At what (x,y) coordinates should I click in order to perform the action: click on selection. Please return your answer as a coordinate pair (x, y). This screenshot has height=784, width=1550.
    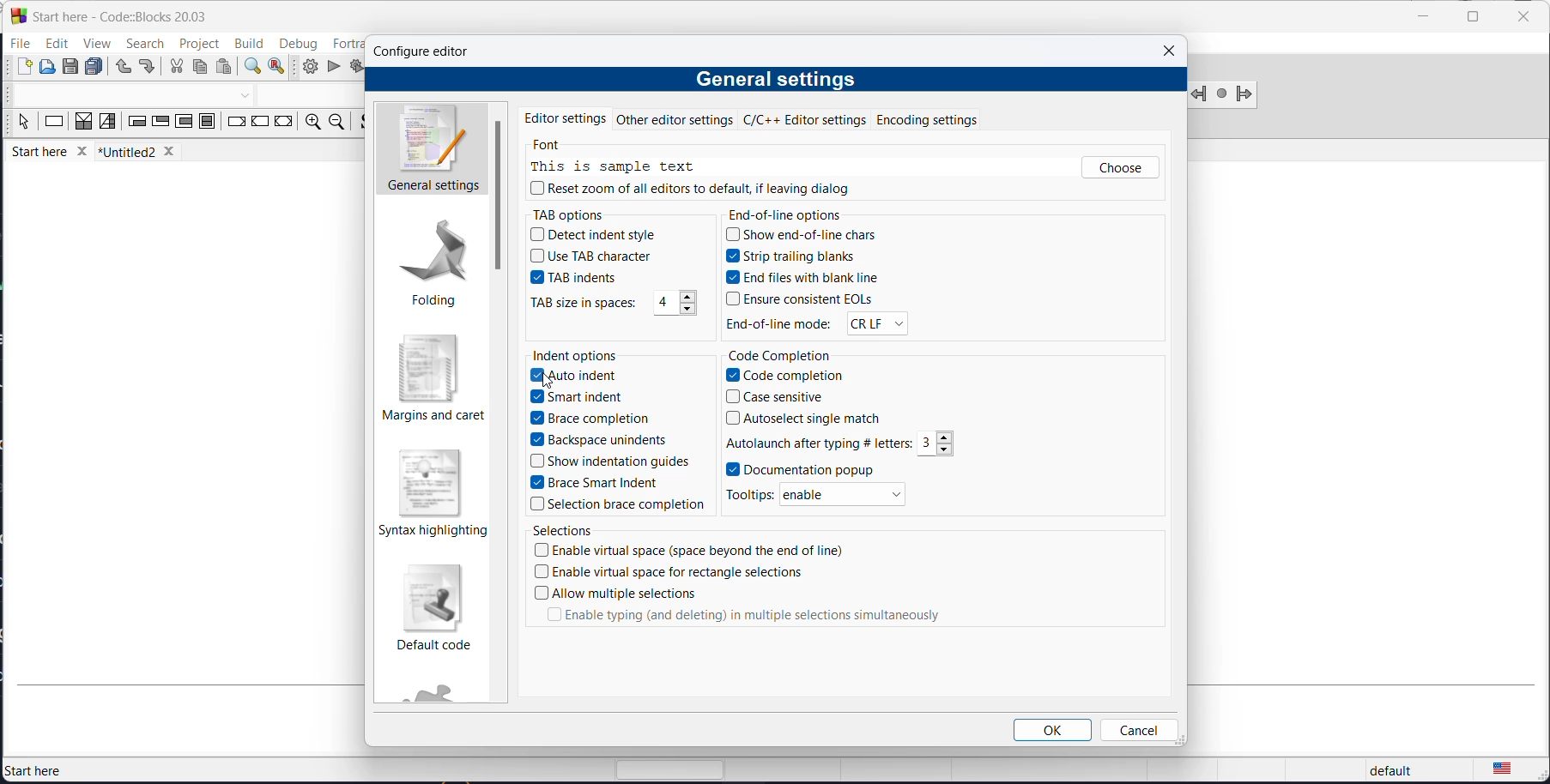
    Looking at the image, I should click on (108, 123).